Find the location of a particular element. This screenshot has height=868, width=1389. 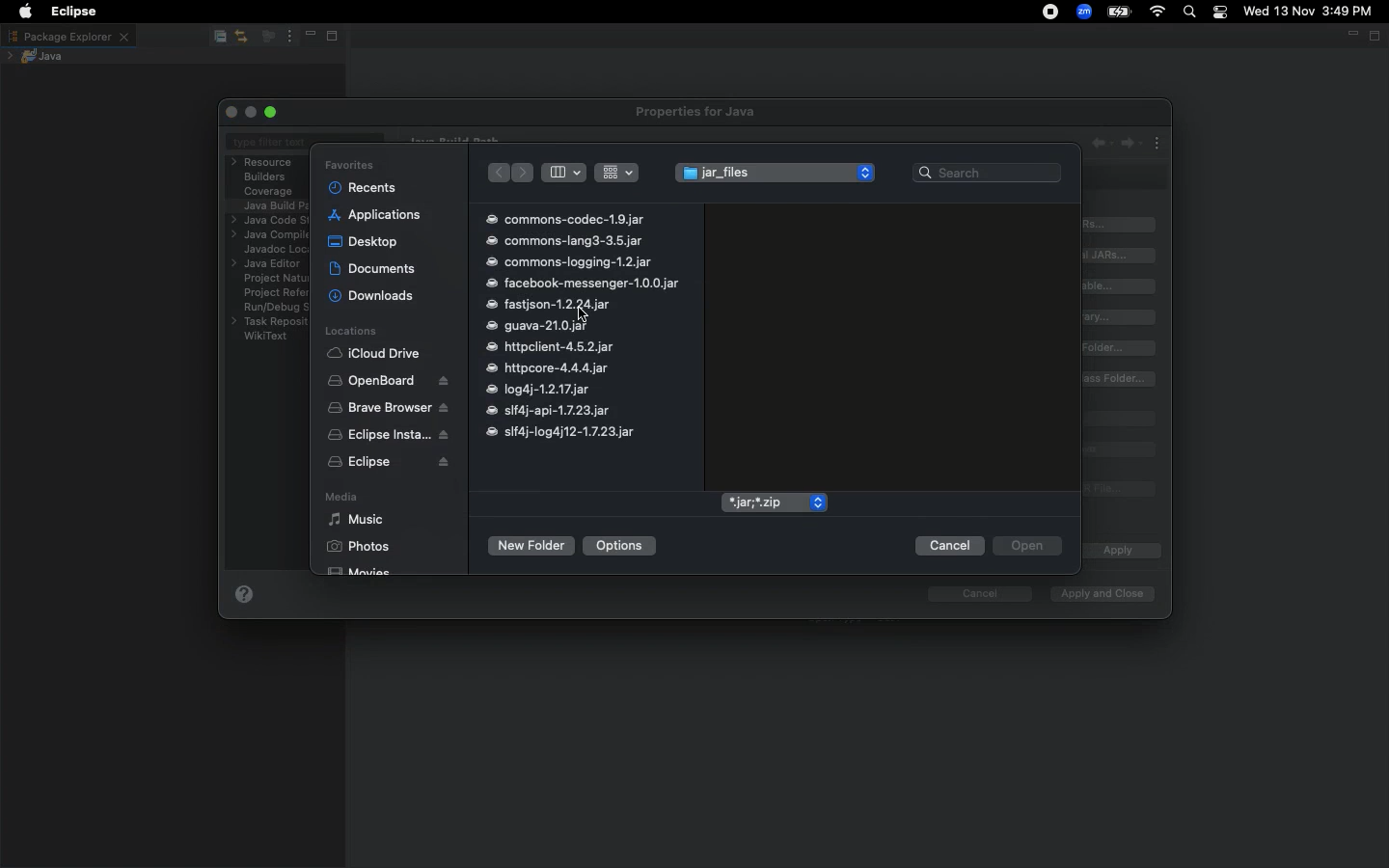

Back is located at coordinates (497, 174).